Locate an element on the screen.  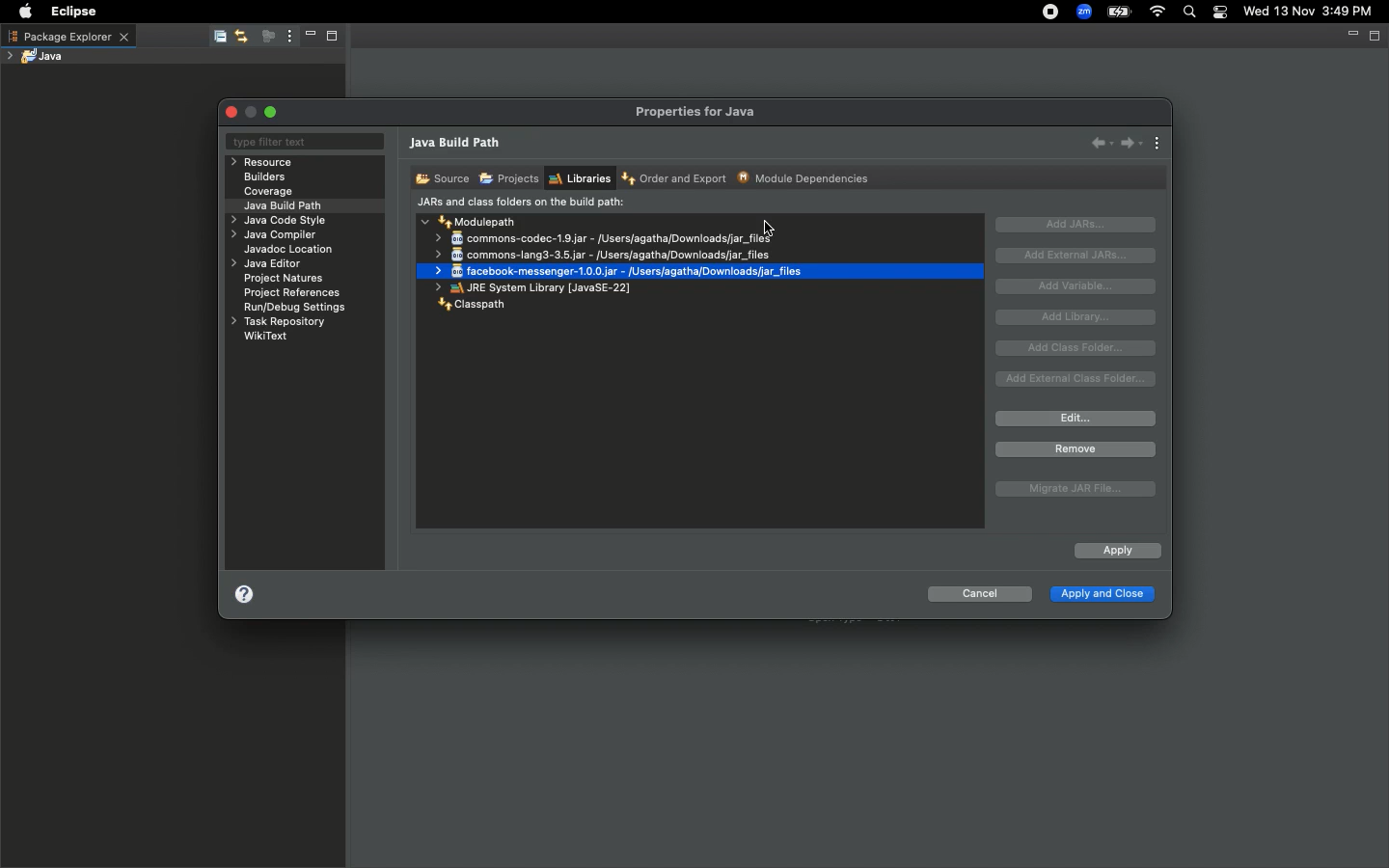
Java build path is located at coordinates (287, 204).